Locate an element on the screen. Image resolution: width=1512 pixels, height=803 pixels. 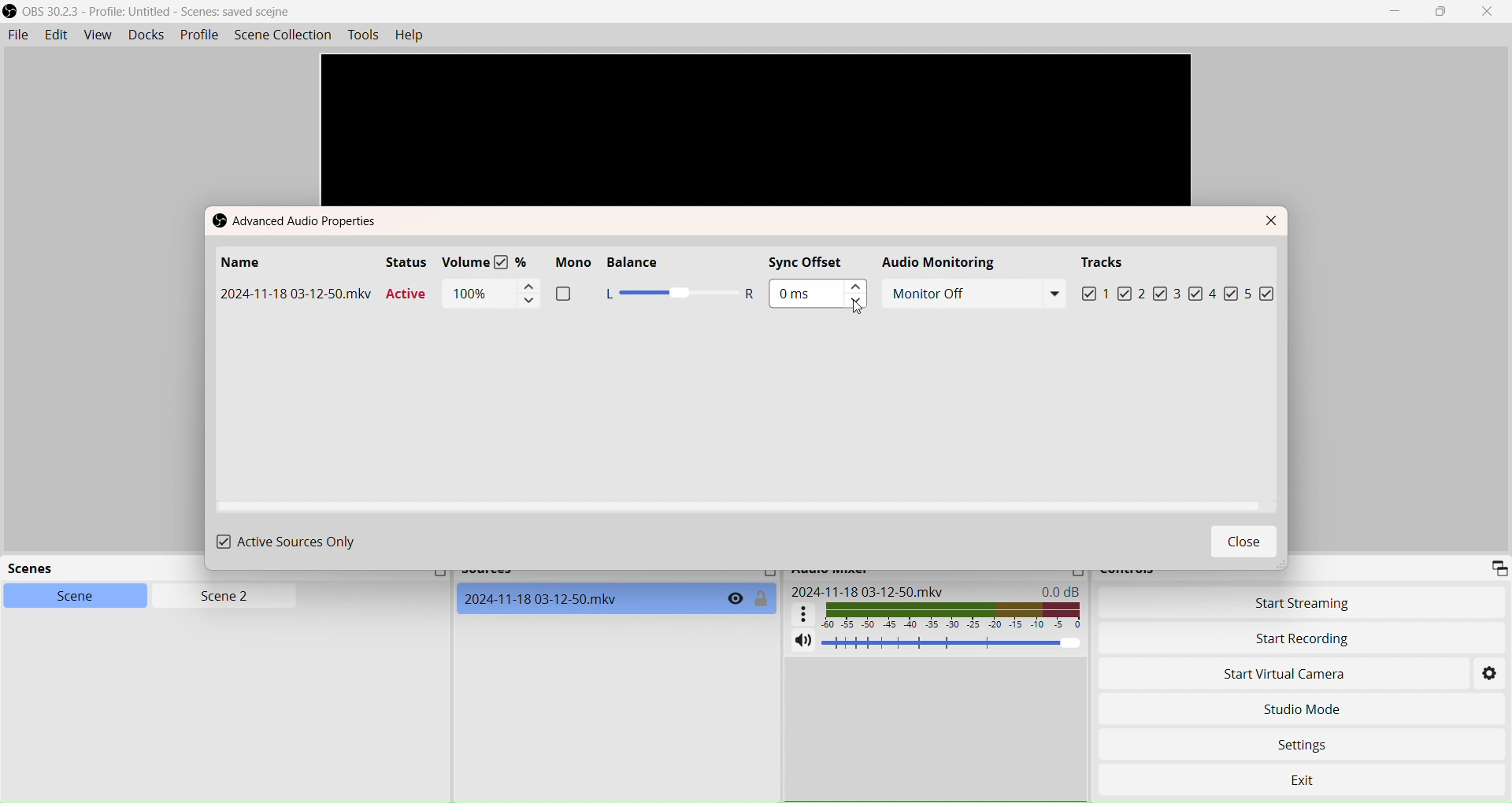
2 is located at coordinates (1151, 295).